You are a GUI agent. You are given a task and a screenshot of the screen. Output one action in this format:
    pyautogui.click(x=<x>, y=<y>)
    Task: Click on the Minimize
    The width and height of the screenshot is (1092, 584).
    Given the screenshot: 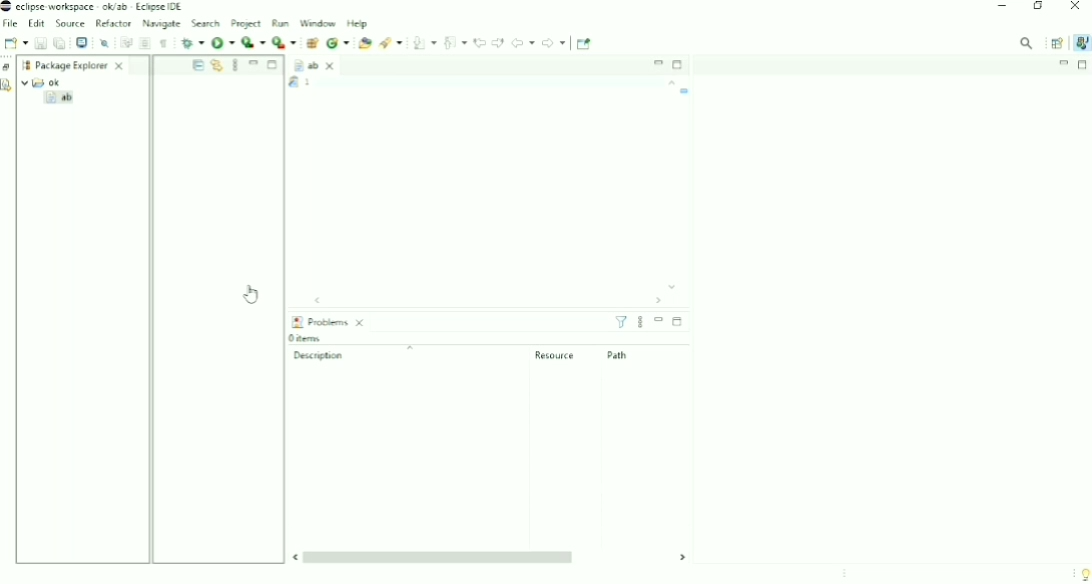 What is the action you would take?
    pyautogui.click(x=1064, y=63)
    